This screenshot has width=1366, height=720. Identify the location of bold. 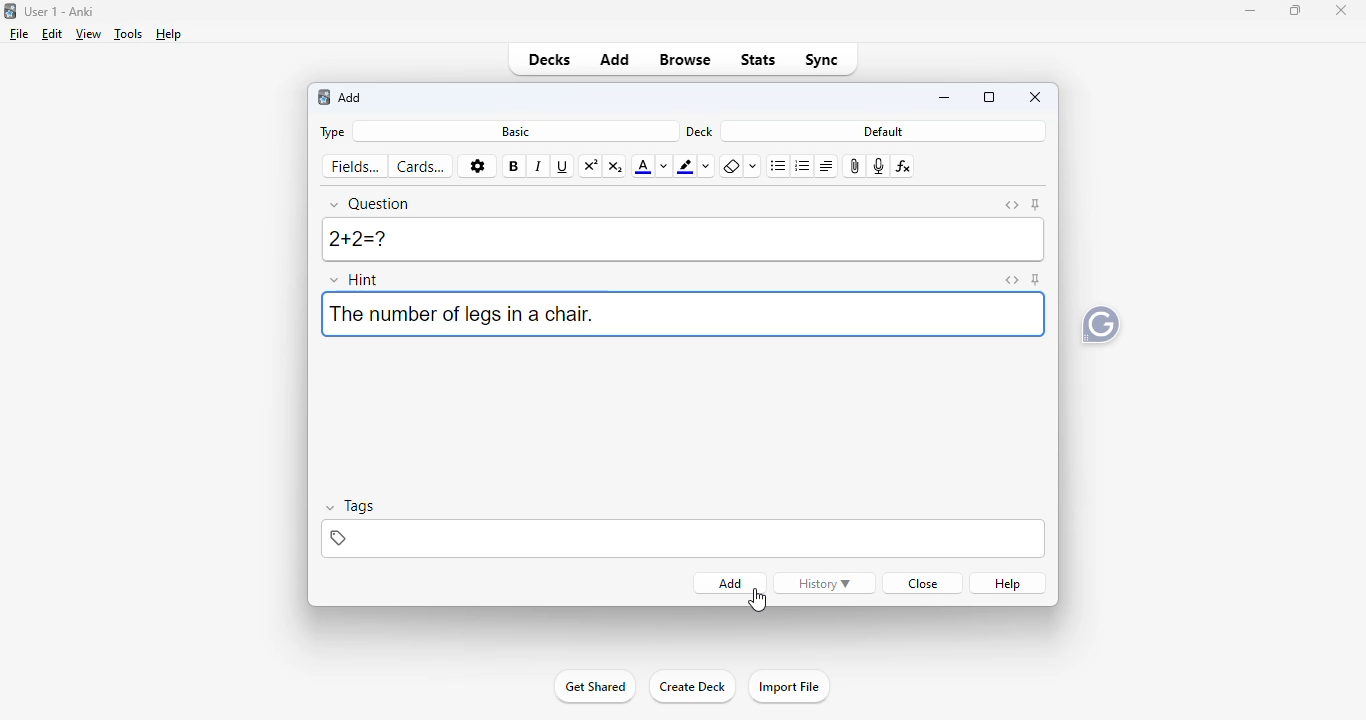
(513, 167).